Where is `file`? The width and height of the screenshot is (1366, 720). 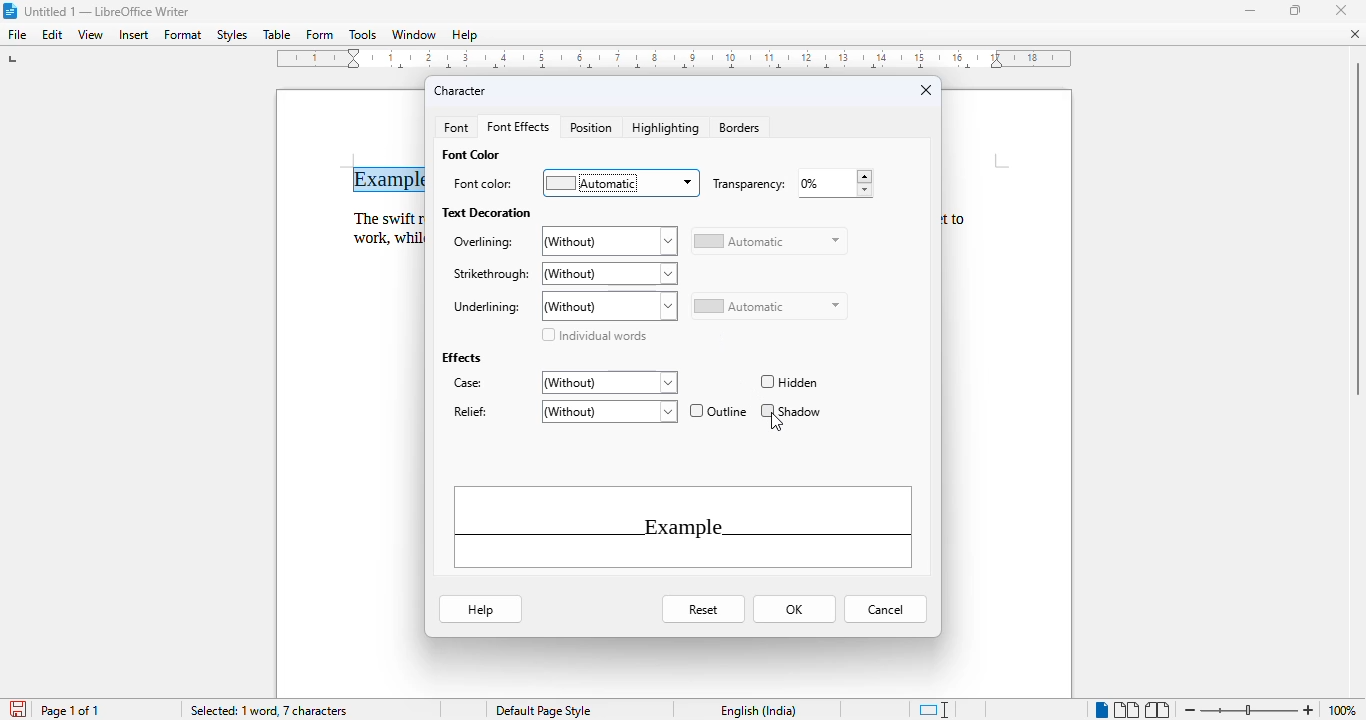
file is located at coordinates (18, 35).